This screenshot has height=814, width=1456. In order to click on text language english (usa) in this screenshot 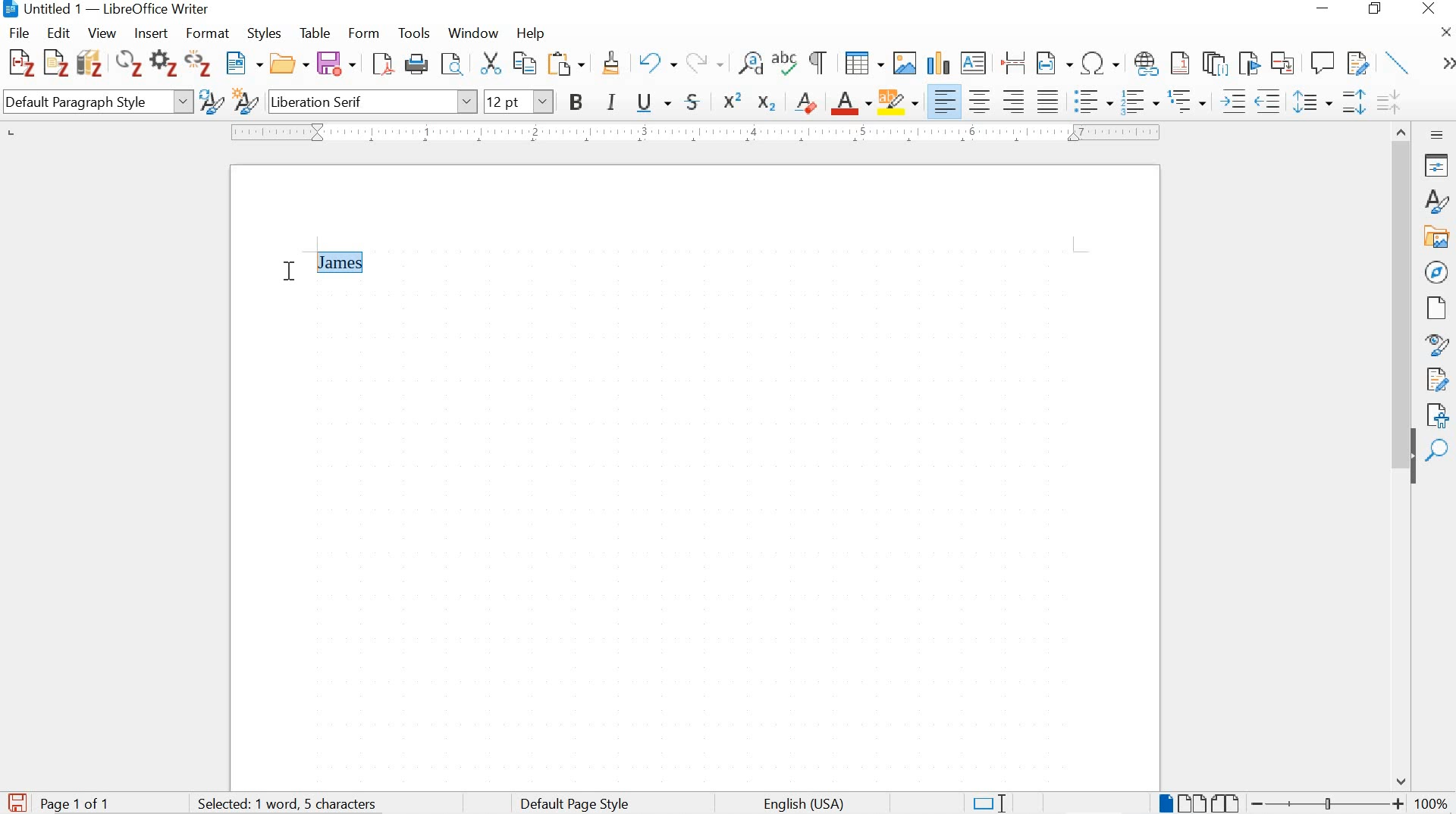, I will do `click(802, 804)`.